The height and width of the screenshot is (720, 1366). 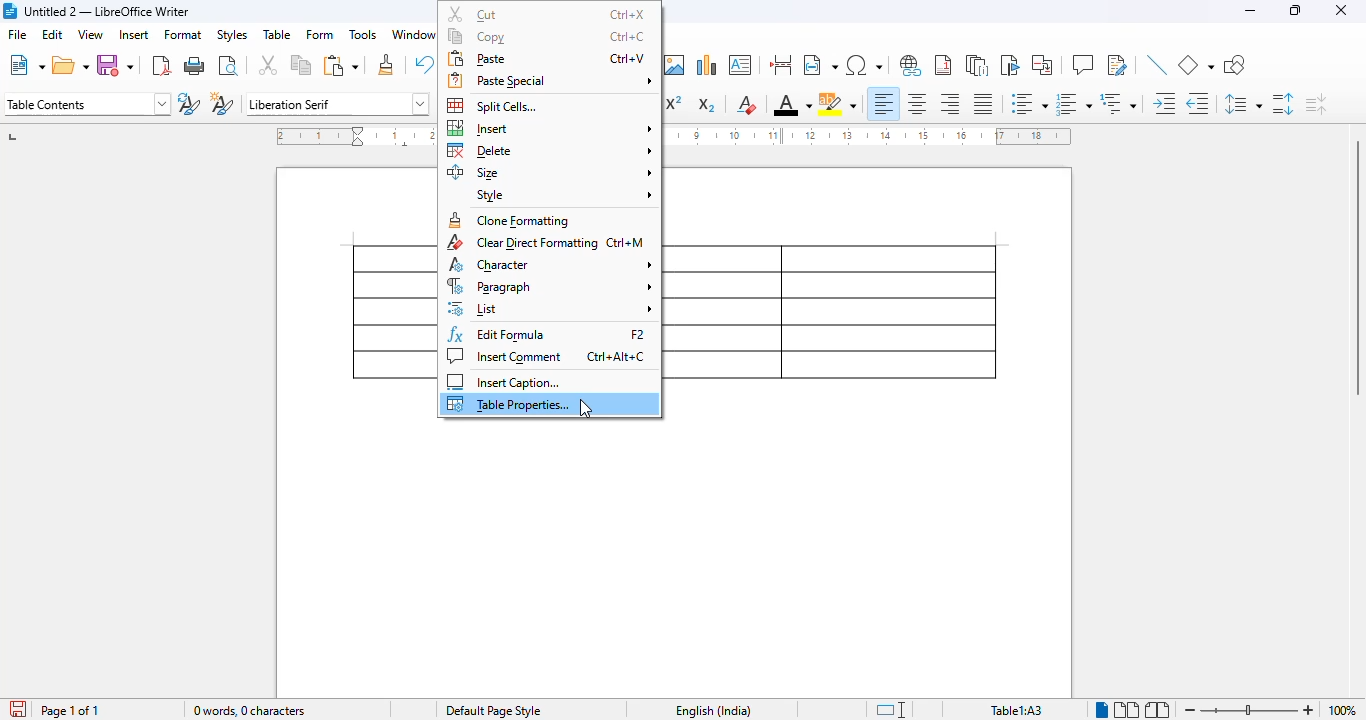 I want to click on save, so click(x=115, y=64).